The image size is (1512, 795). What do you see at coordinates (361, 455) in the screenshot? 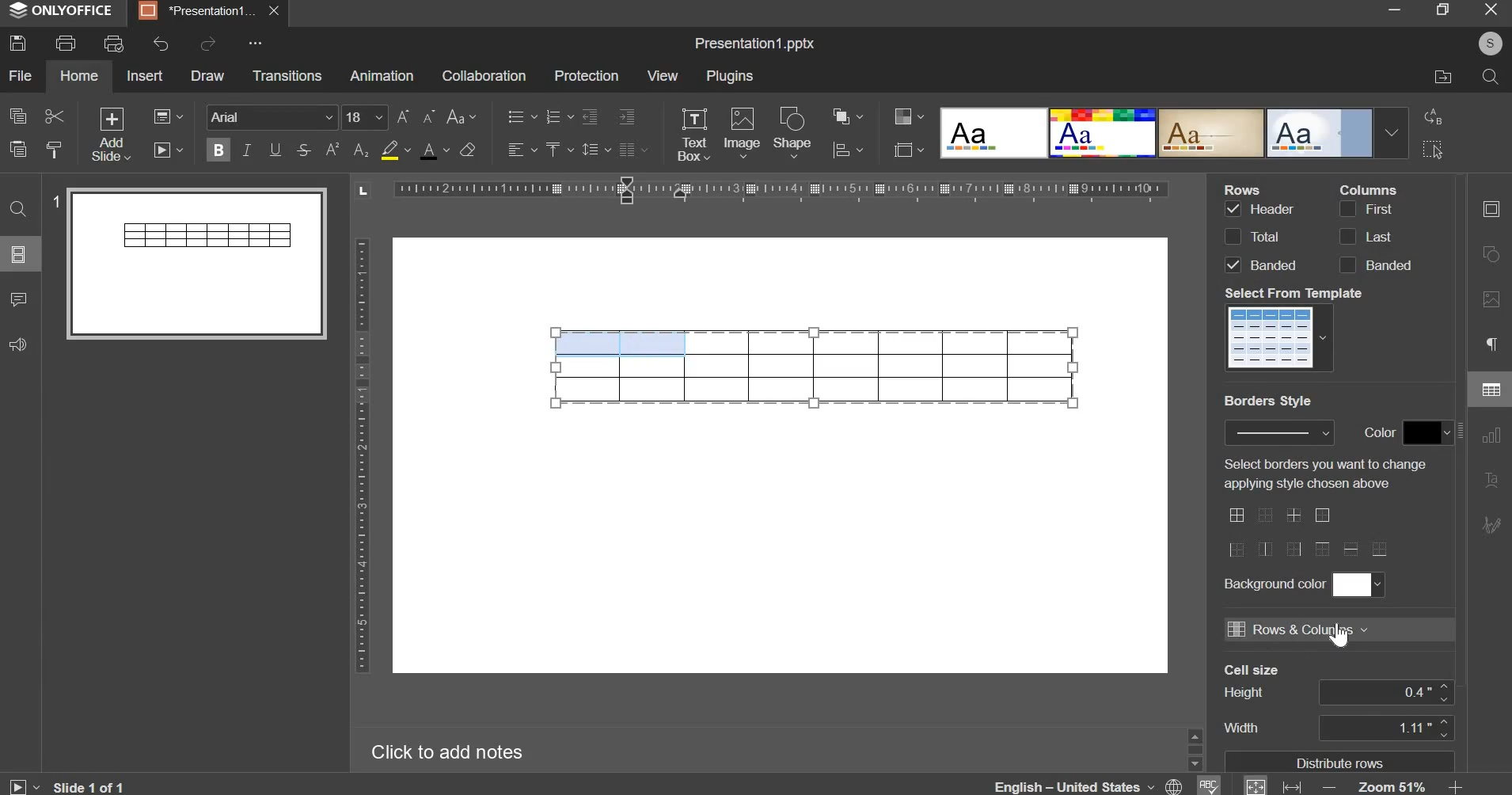
I see `vertical scale` at bounding box center [361, 455].